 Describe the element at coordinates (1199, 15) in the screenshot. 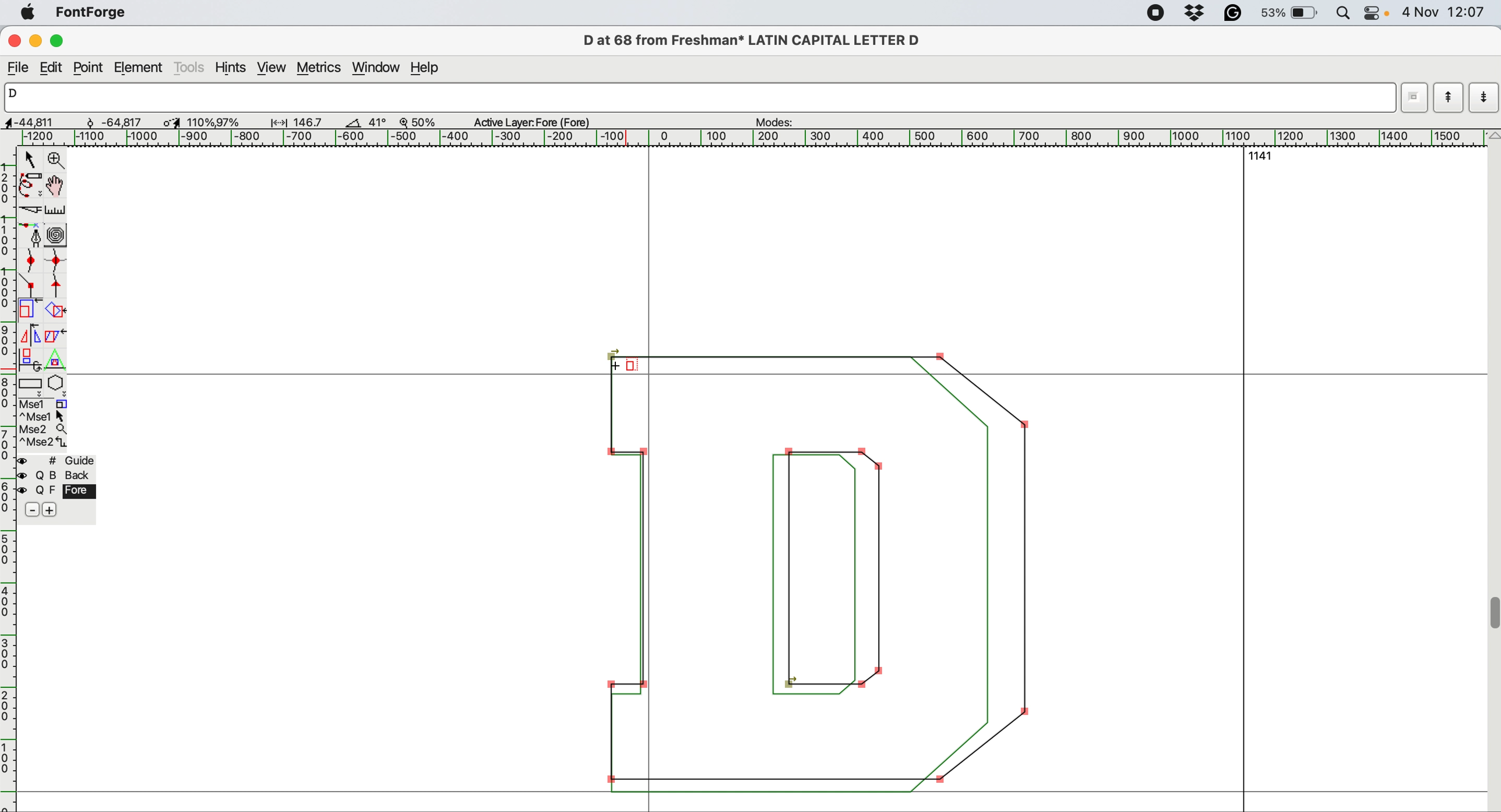

I see `drop box` at that location.